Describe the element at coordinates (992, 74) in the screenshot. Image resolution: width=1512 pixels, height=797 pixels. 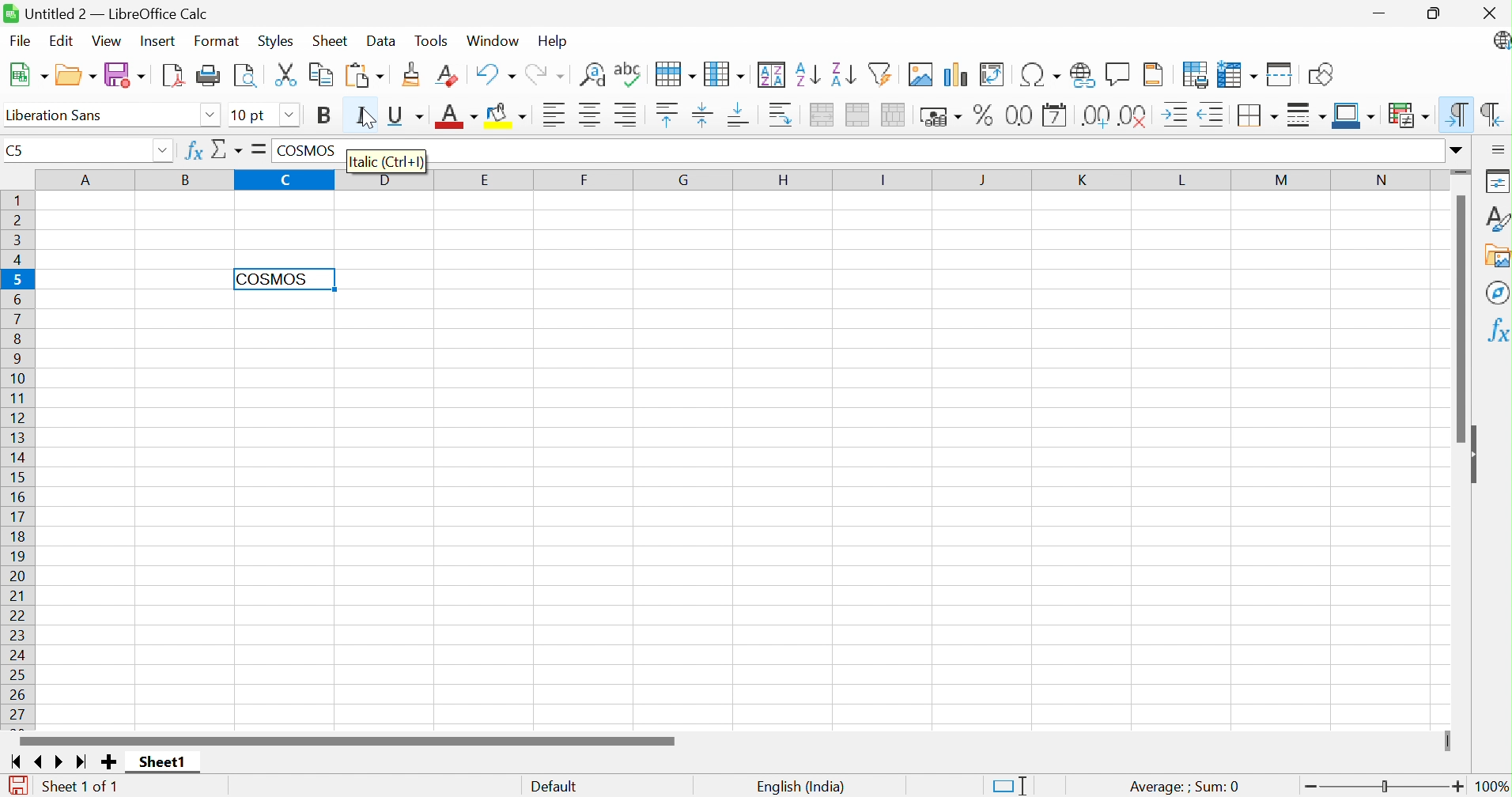
I see `Insert or edit pivot table` at that location.